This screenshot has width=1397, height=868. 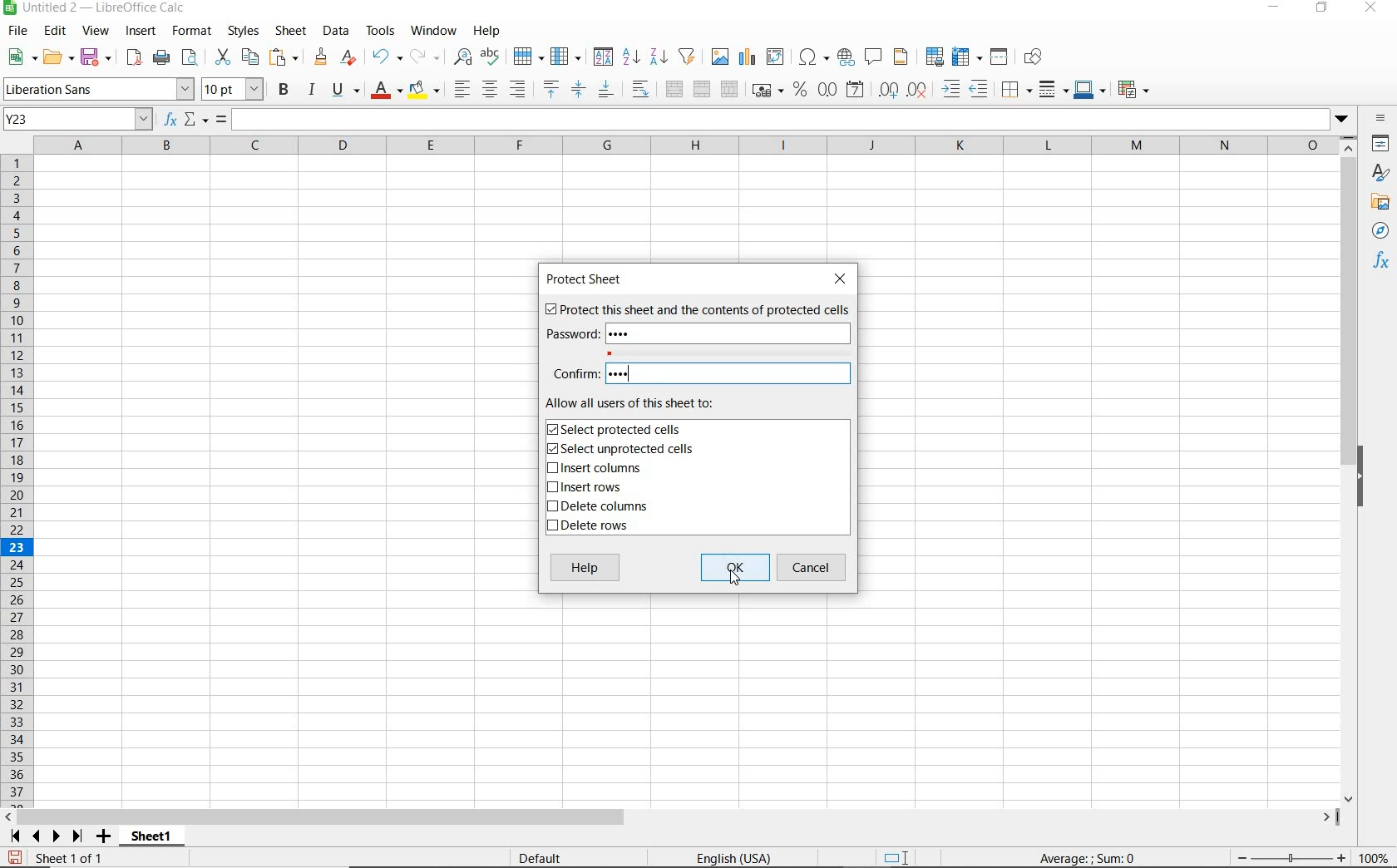 I want to click on FILE NAME, so click(x=97, y=9).